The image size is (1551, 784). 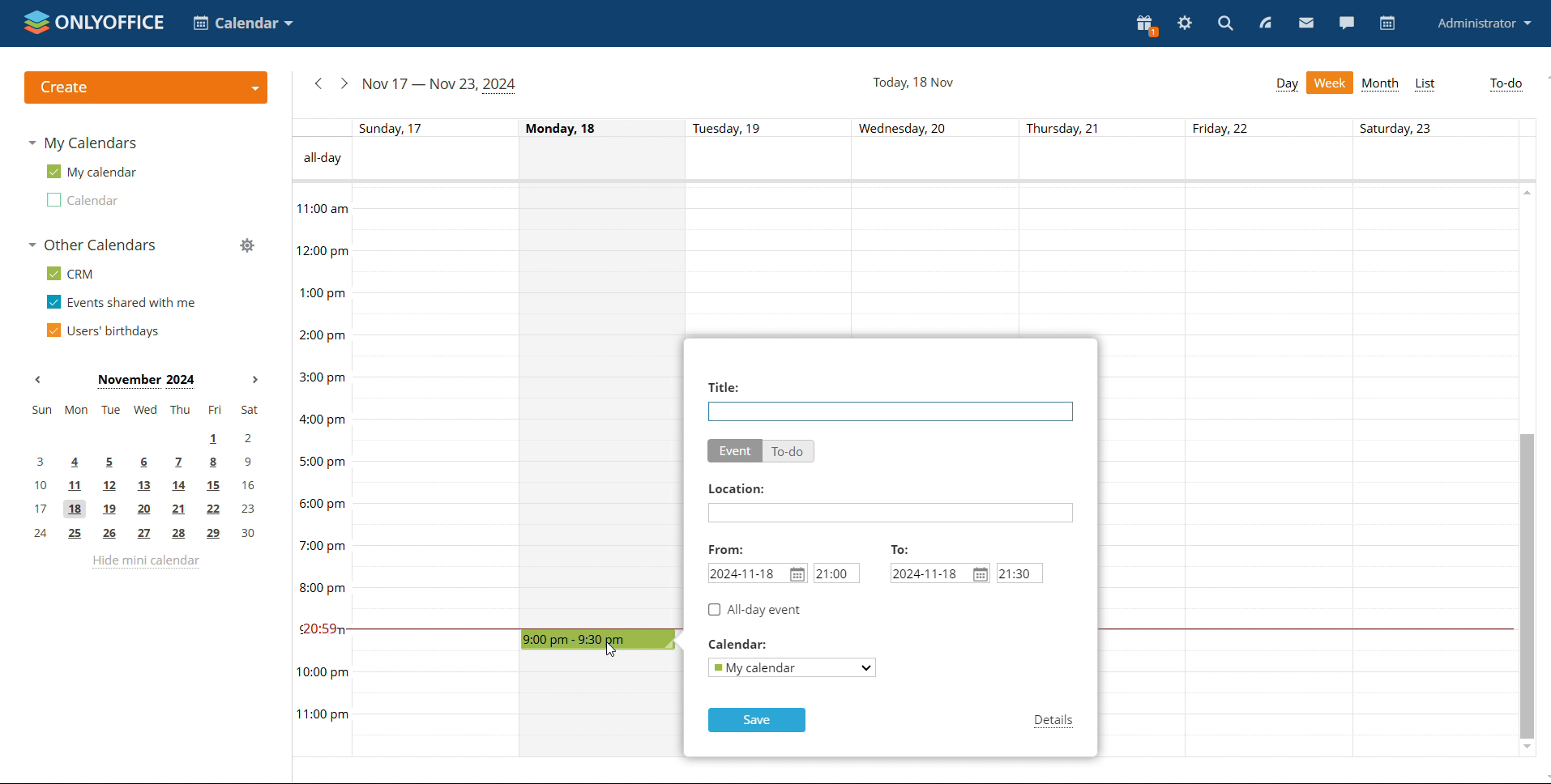 I want to click on previous week, so click(x=318, y=84).